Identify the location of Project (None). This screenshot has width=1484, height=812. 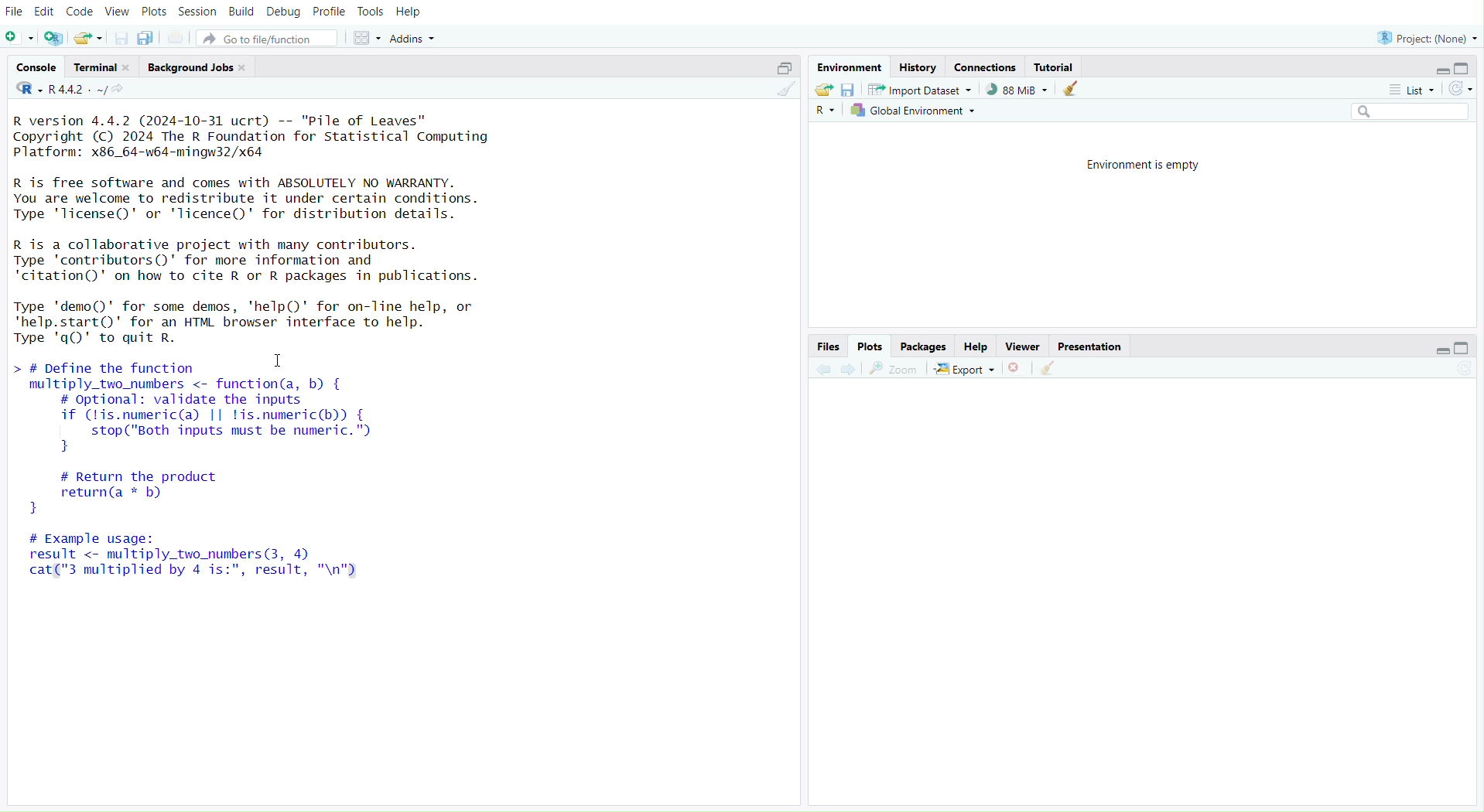
(1428, 36).